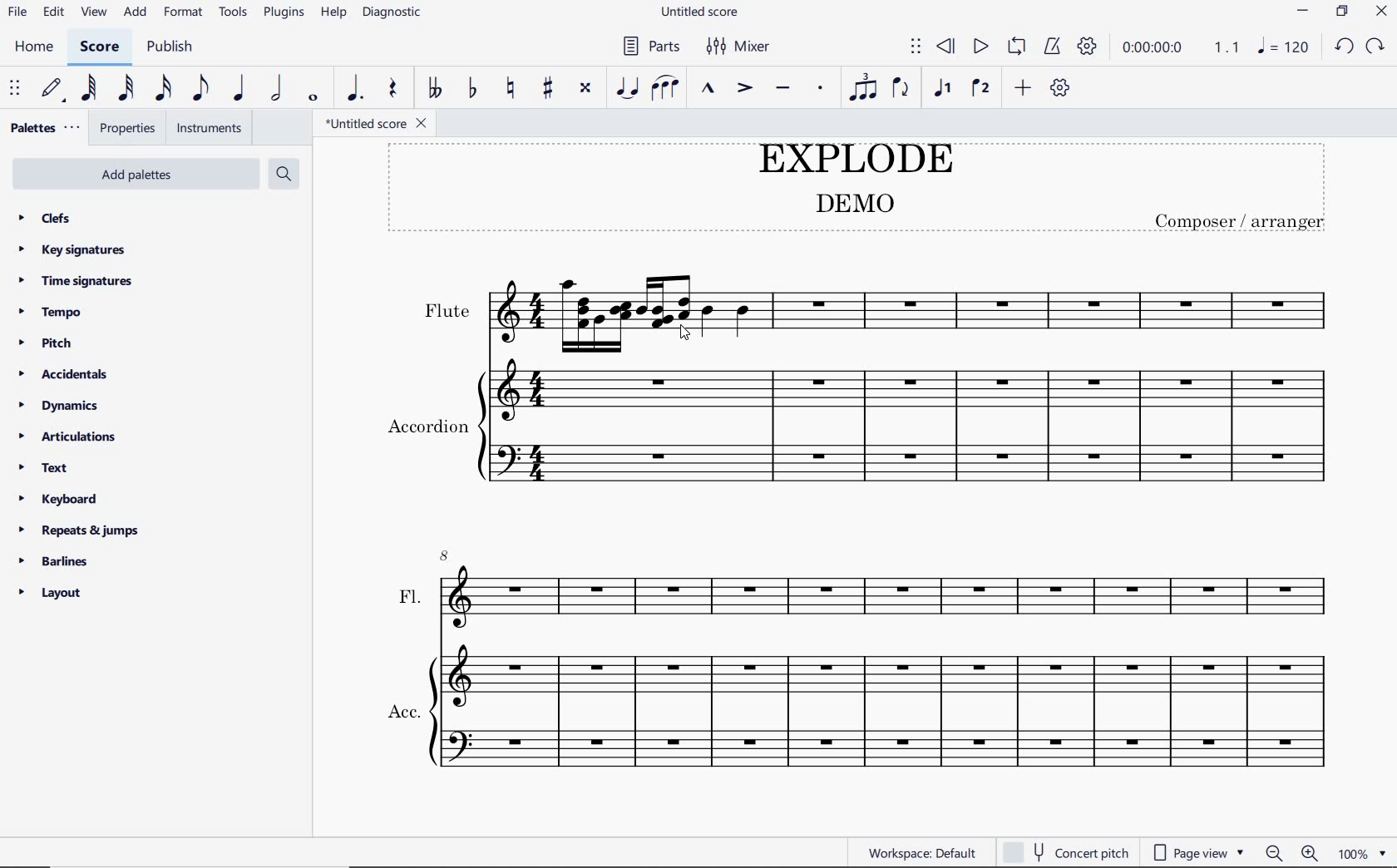 The height and width of the screenshot is (868, 1397). Describe the element at coordinates (587, 88) in the screenshot. I see `toggle double-sharp` at that location.